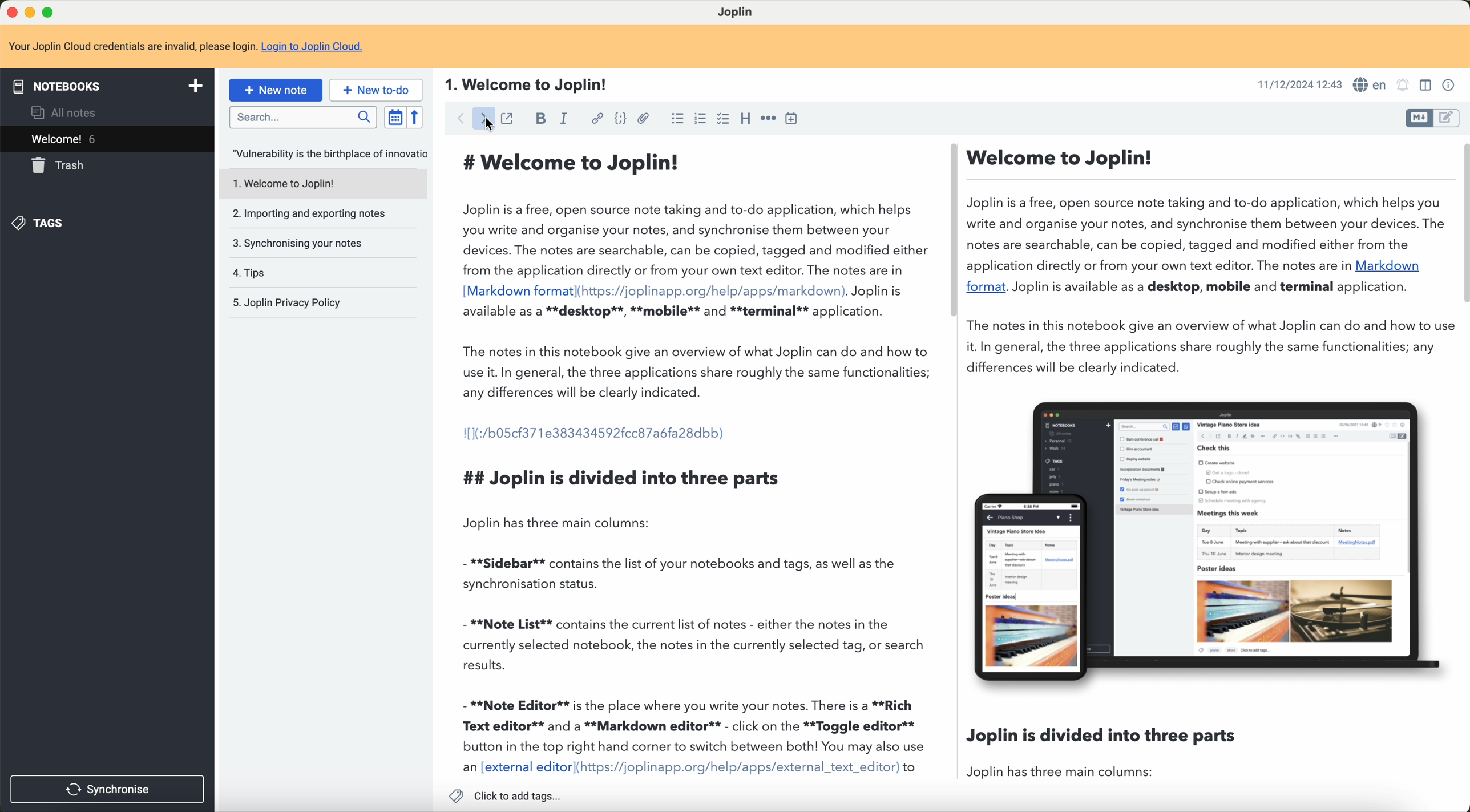 The image size is (1470, 812). What do you see at coordinates (310, 304) in the screenshot?
I see `Joplin privacy policy` at bounding box center [310, 304].